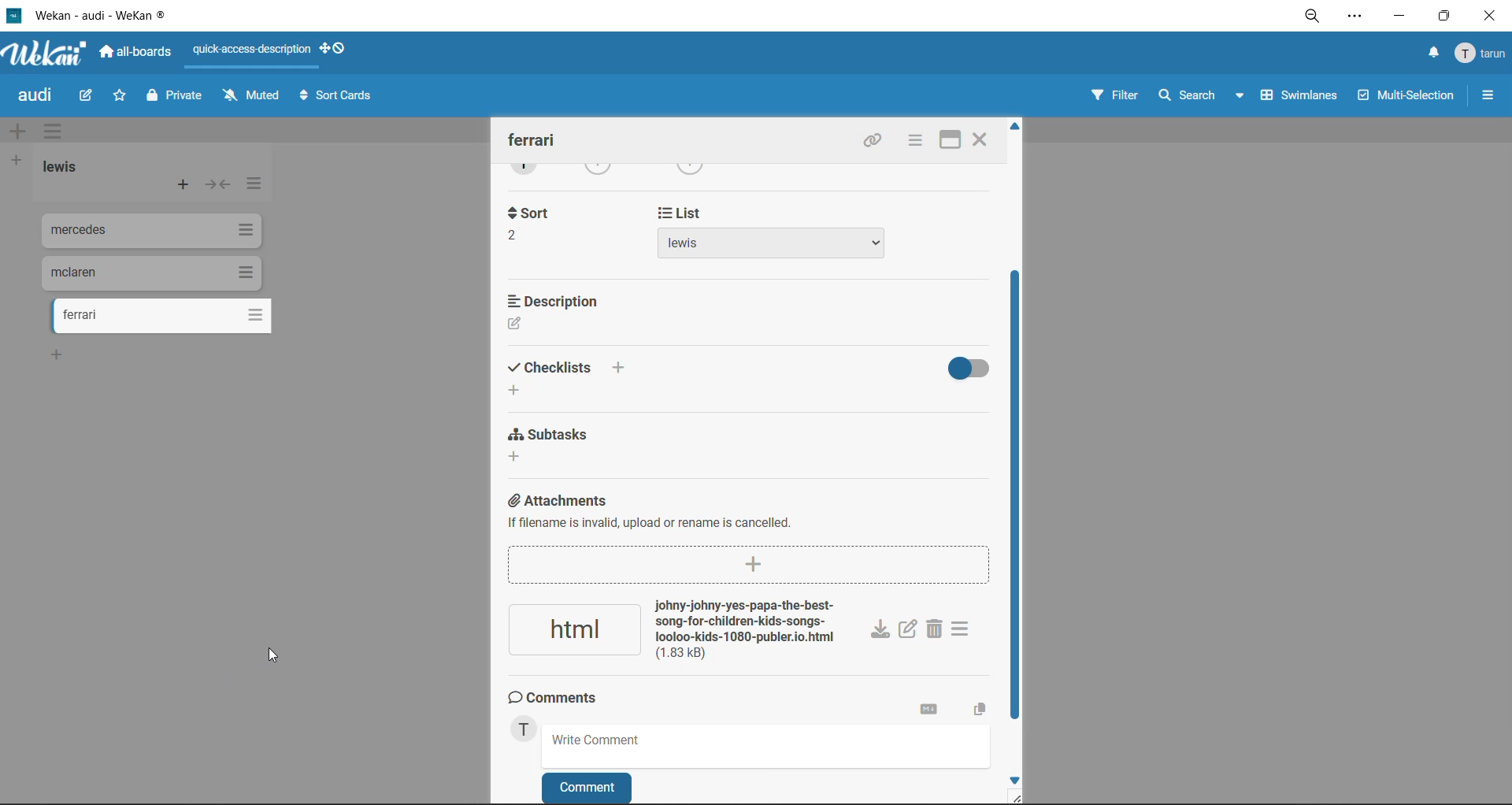  I want to click on search, so click(1203, 95).